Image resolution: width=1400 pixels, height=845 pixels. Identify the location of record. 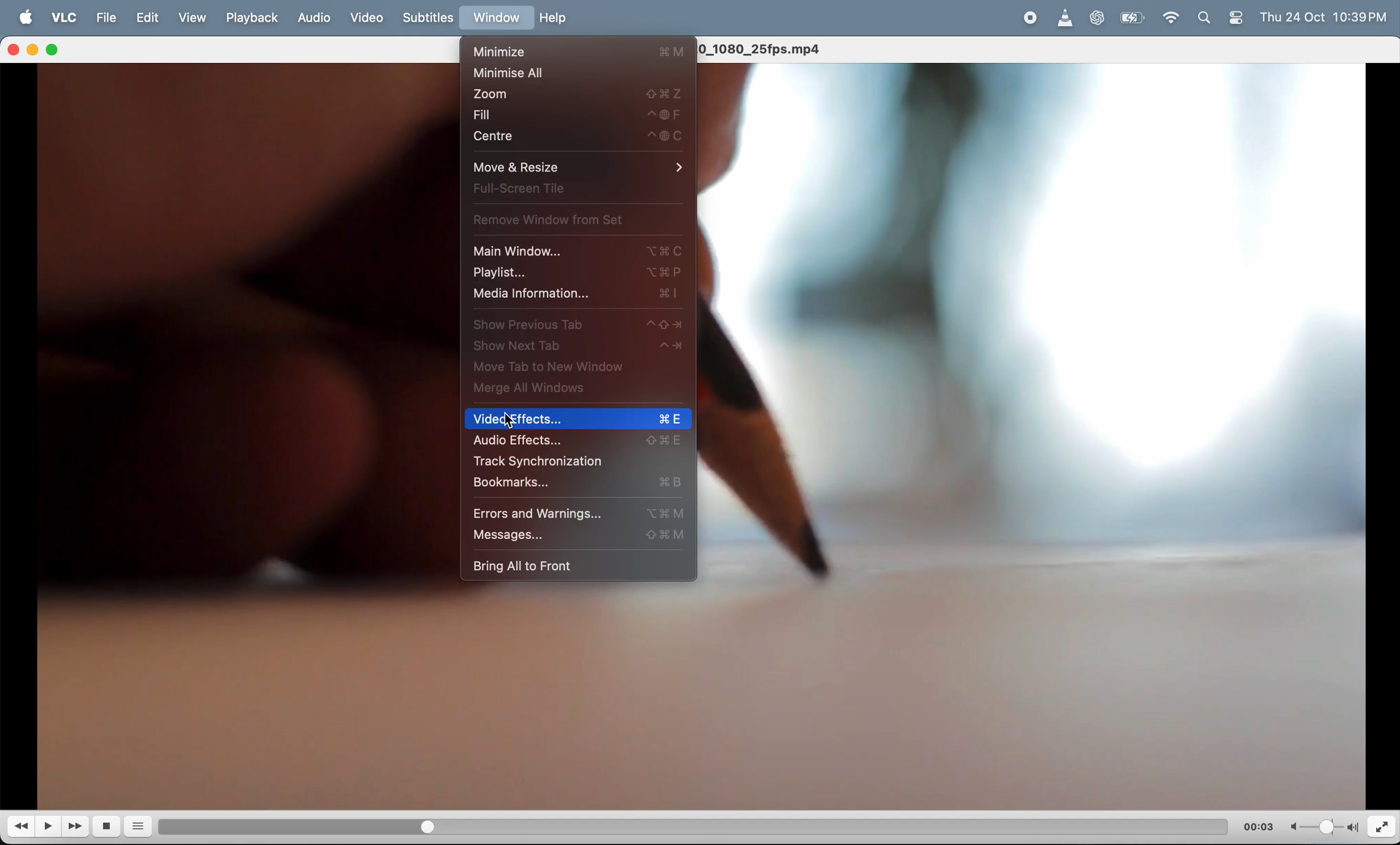
(1030, 18).